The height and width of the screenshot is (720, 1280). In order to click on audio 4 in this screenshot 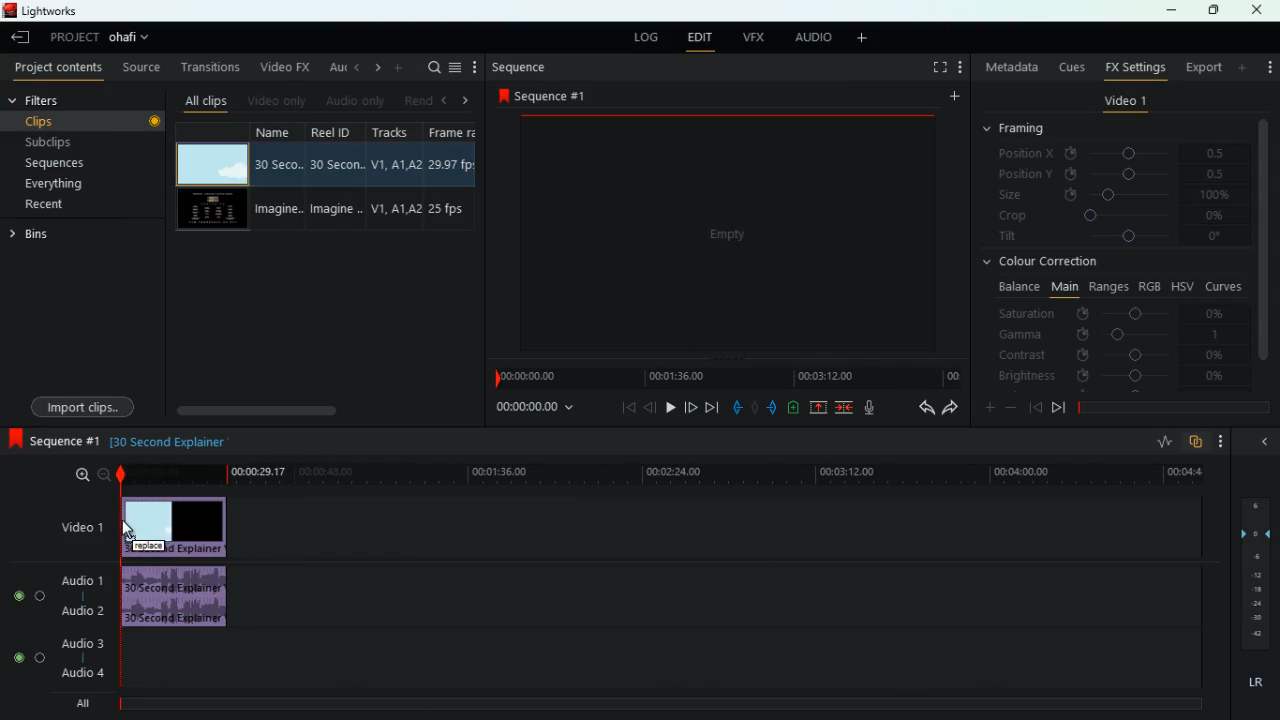, I will do `click(82, 674)`.